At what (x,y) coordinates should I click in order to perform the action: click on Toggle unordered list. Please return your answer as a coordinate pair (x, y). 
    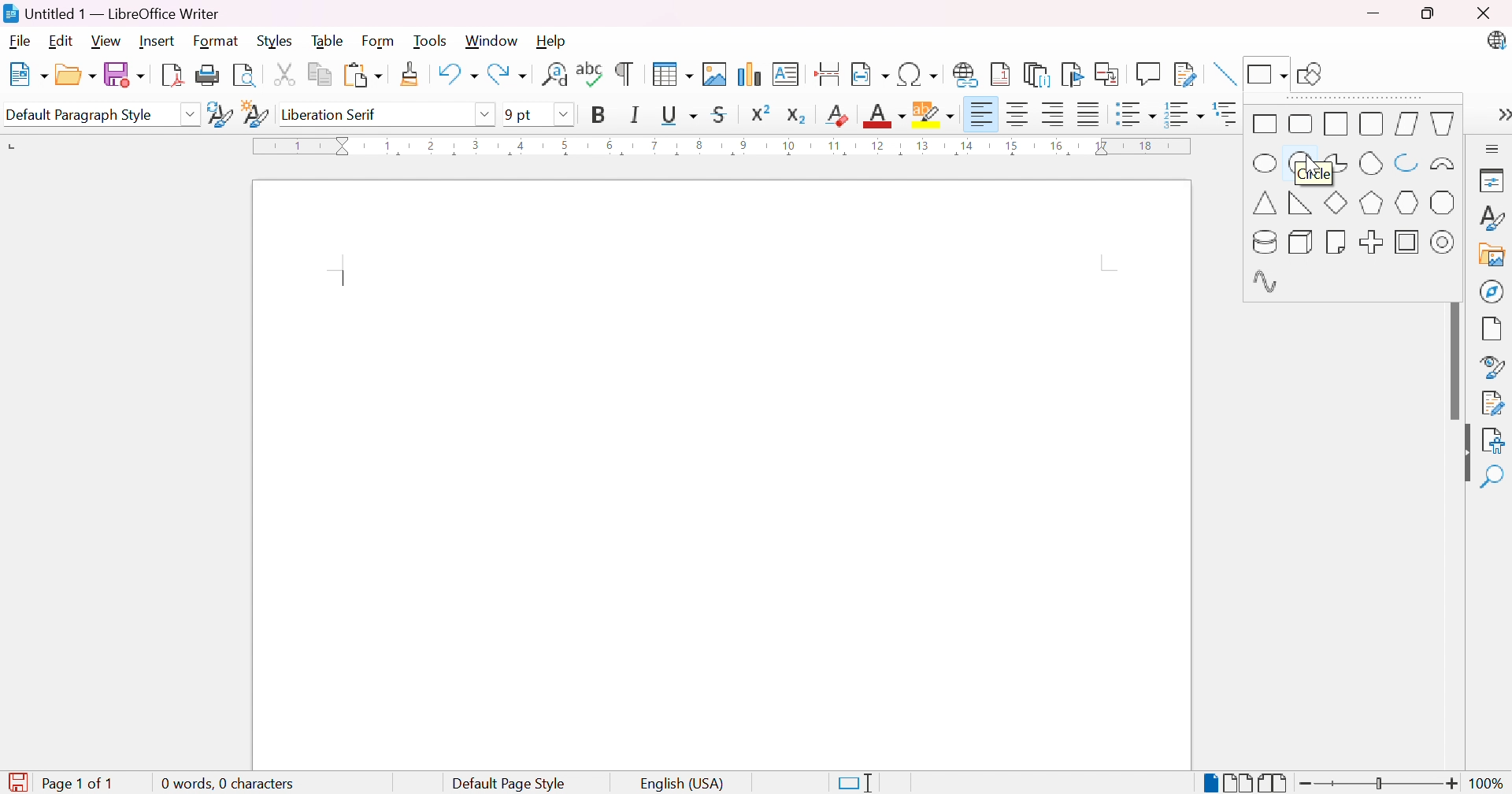
    Looking at the image, I should click on (1134, 116).